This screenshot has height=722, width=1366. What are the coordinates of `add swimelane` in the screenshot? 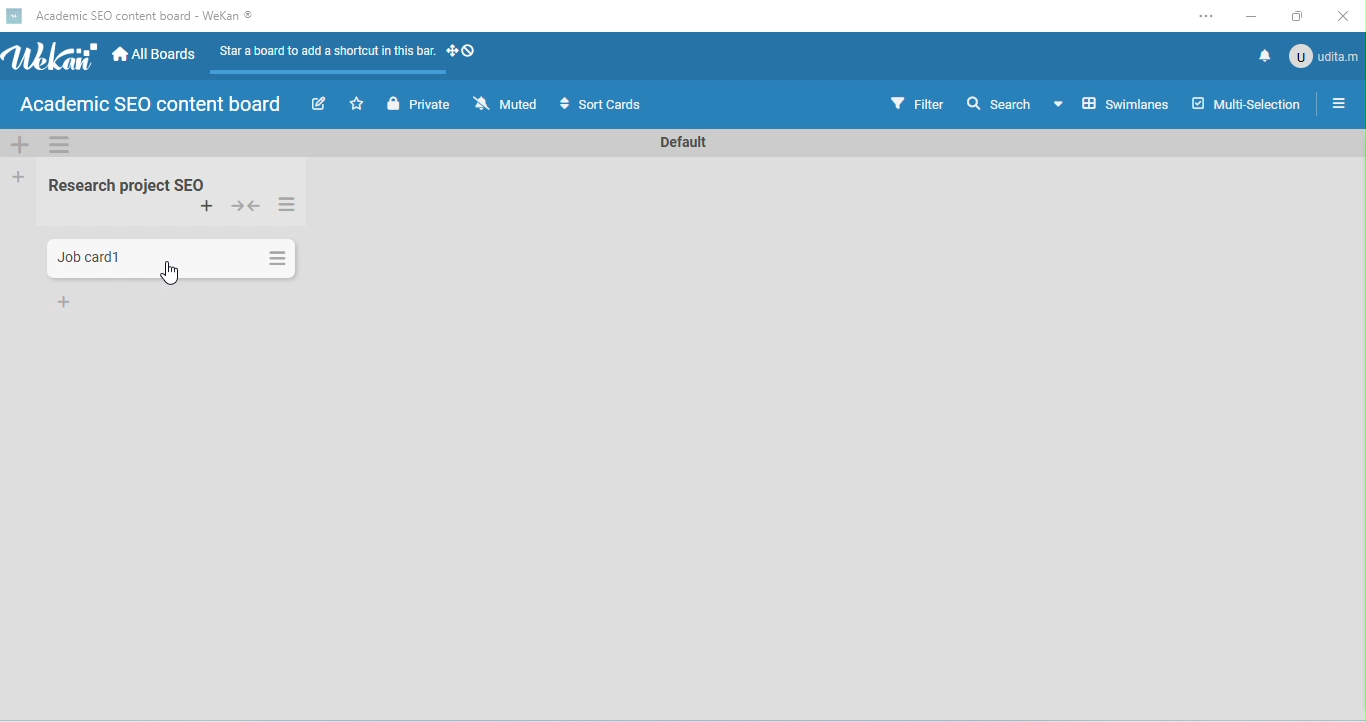 It's located at (21, 145).